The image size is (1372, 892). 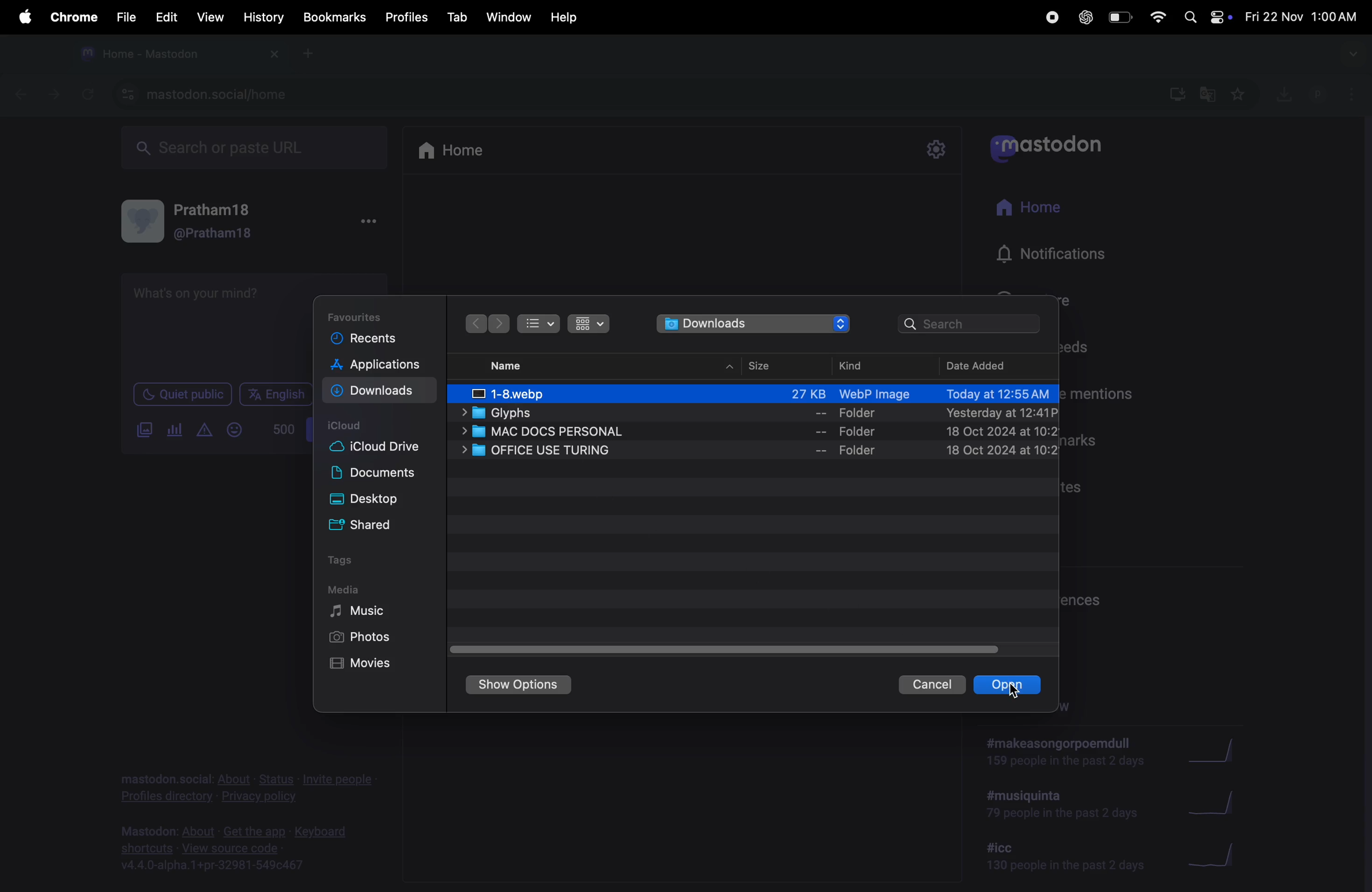 What do you see at coordinates (165, 778) in the screenshot?
I see `mastodon.social` at bounding box center [165, 778].